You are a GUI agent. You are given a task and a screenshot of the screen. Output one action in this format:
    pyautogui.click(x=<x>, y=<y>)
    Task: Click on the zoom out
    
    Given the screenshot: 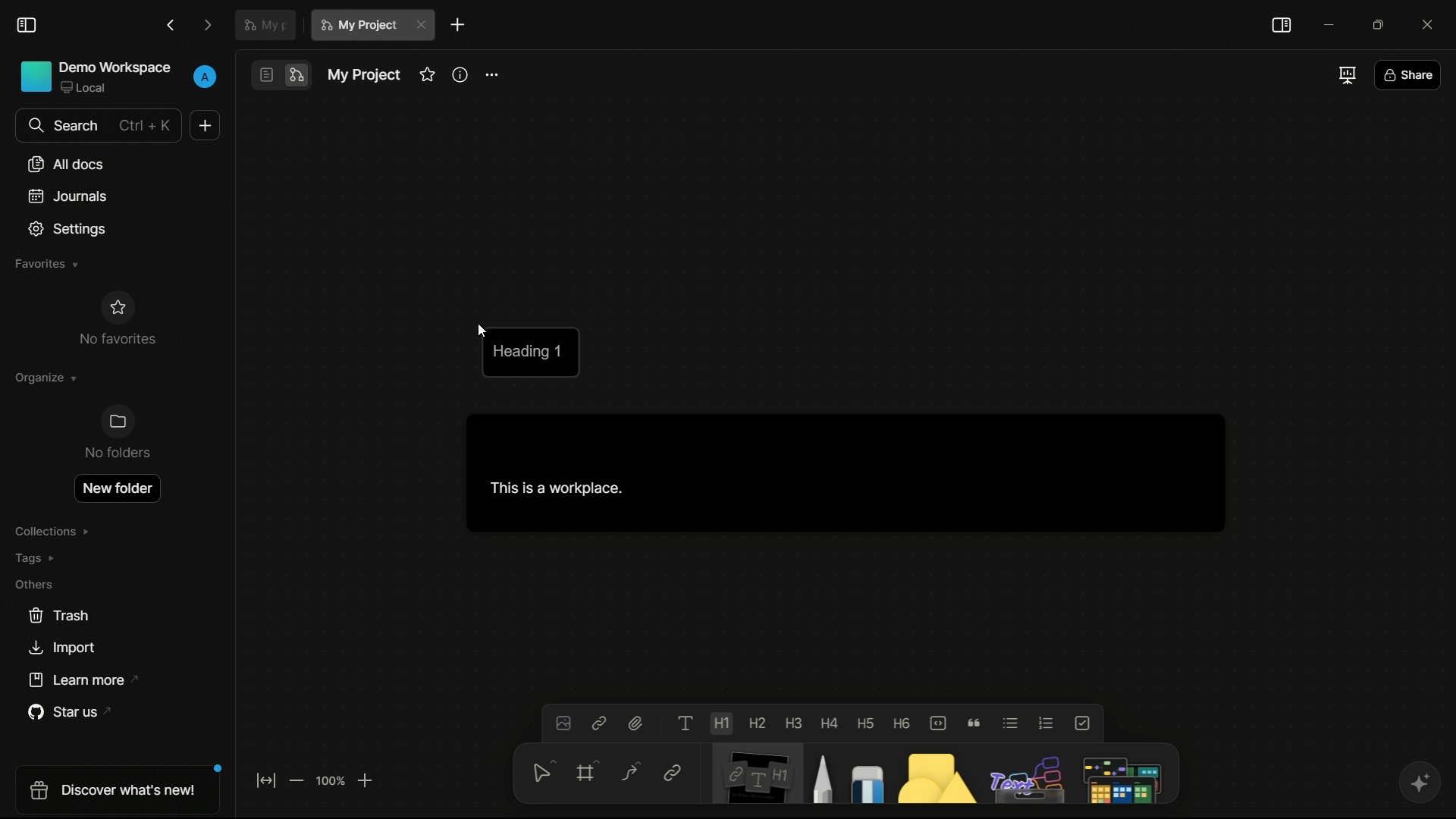 What is the action you would take?
    pyautogui.click(x=298, y=780)
    